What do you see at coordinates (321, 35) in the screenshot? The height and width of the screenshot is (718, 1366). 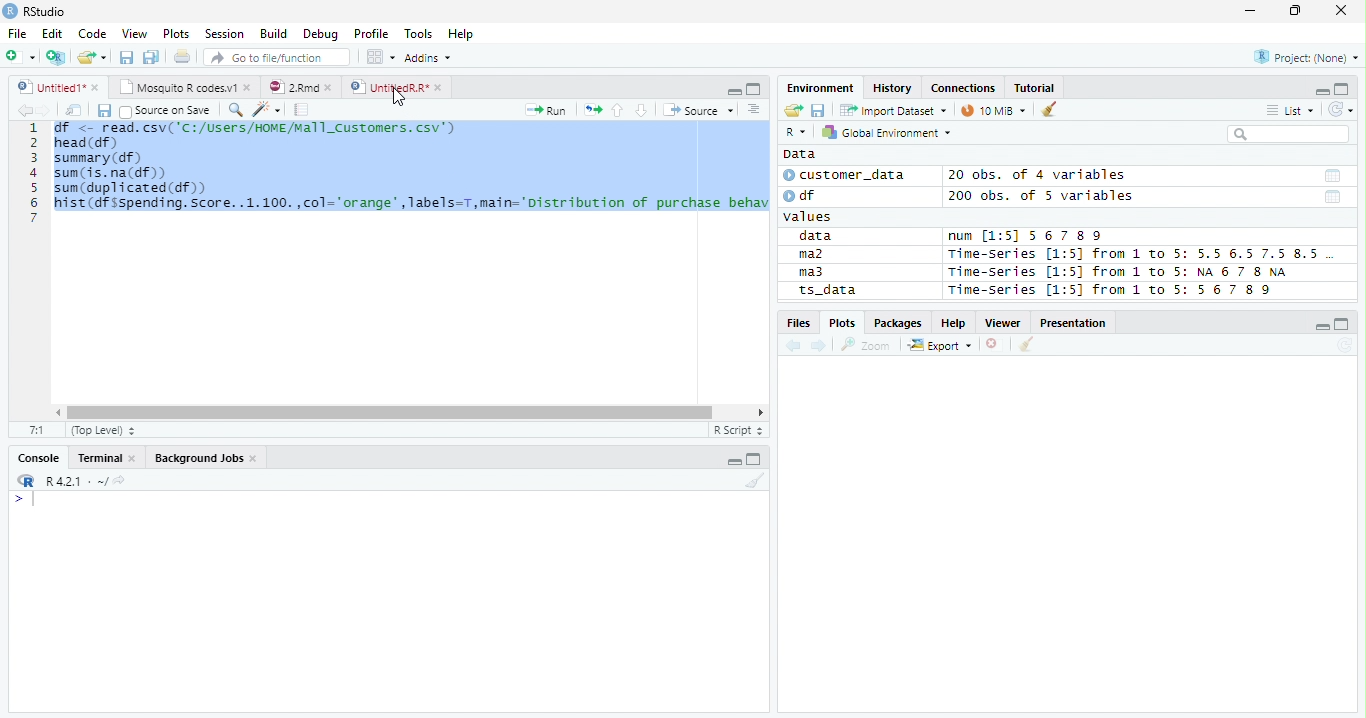 I see `Debug` at bounding box center [321, 35].